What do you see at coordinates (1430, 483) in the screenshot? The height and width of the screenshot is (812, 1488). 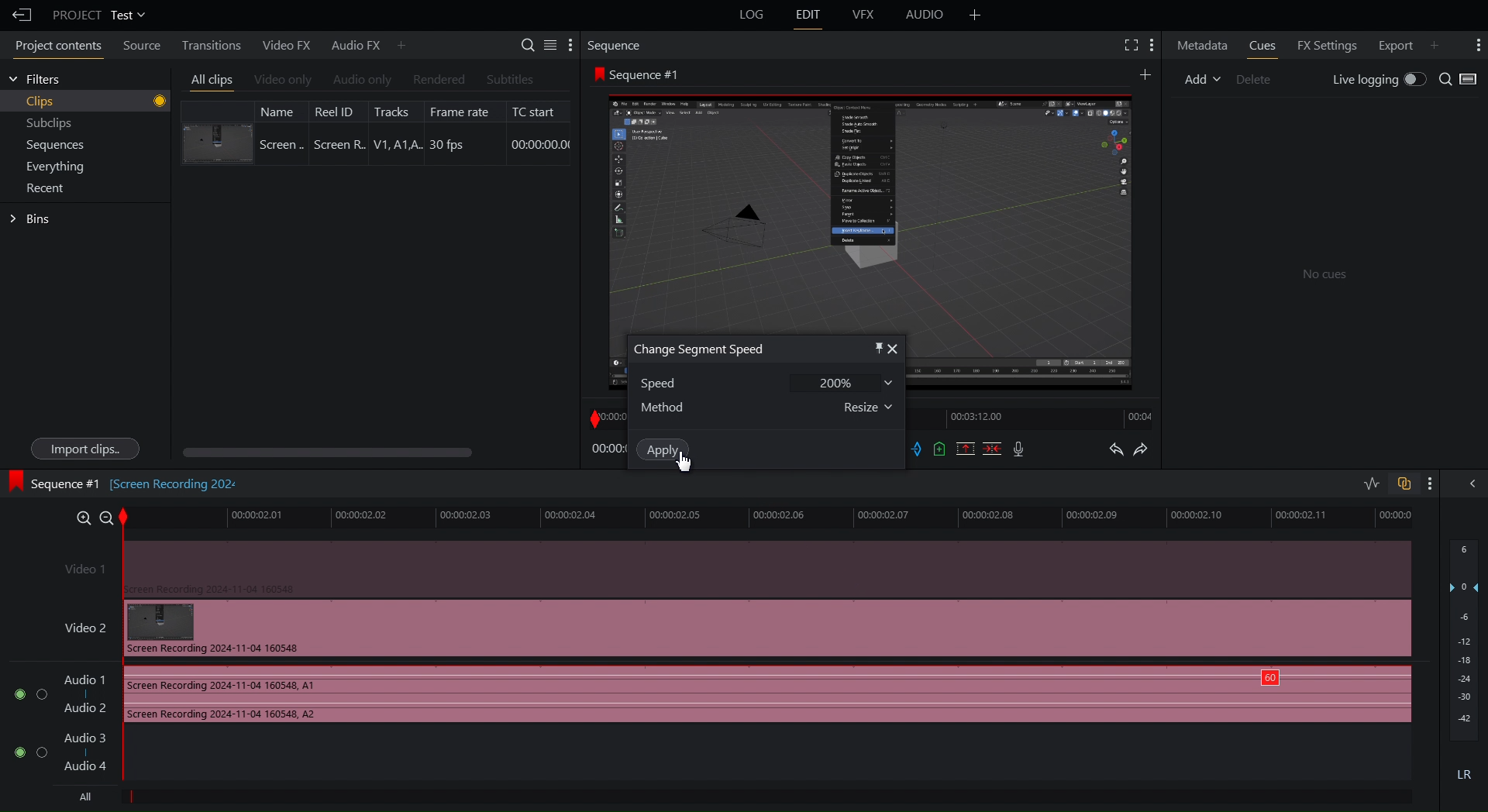 I see `More` at bounding box center [1430, 483].